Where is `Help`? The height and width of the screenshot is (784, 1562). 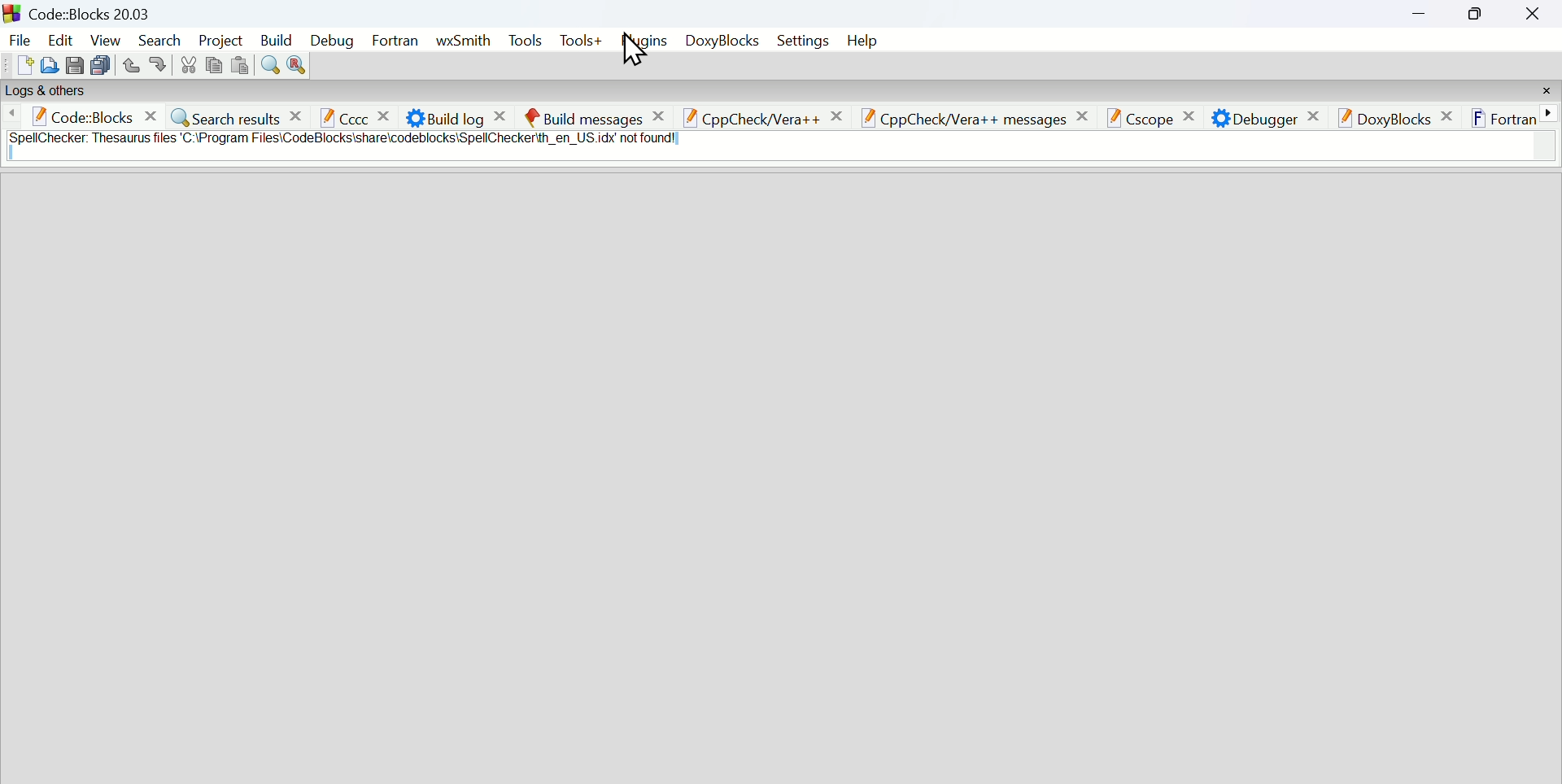
Help is located at coordinates (862, 40).